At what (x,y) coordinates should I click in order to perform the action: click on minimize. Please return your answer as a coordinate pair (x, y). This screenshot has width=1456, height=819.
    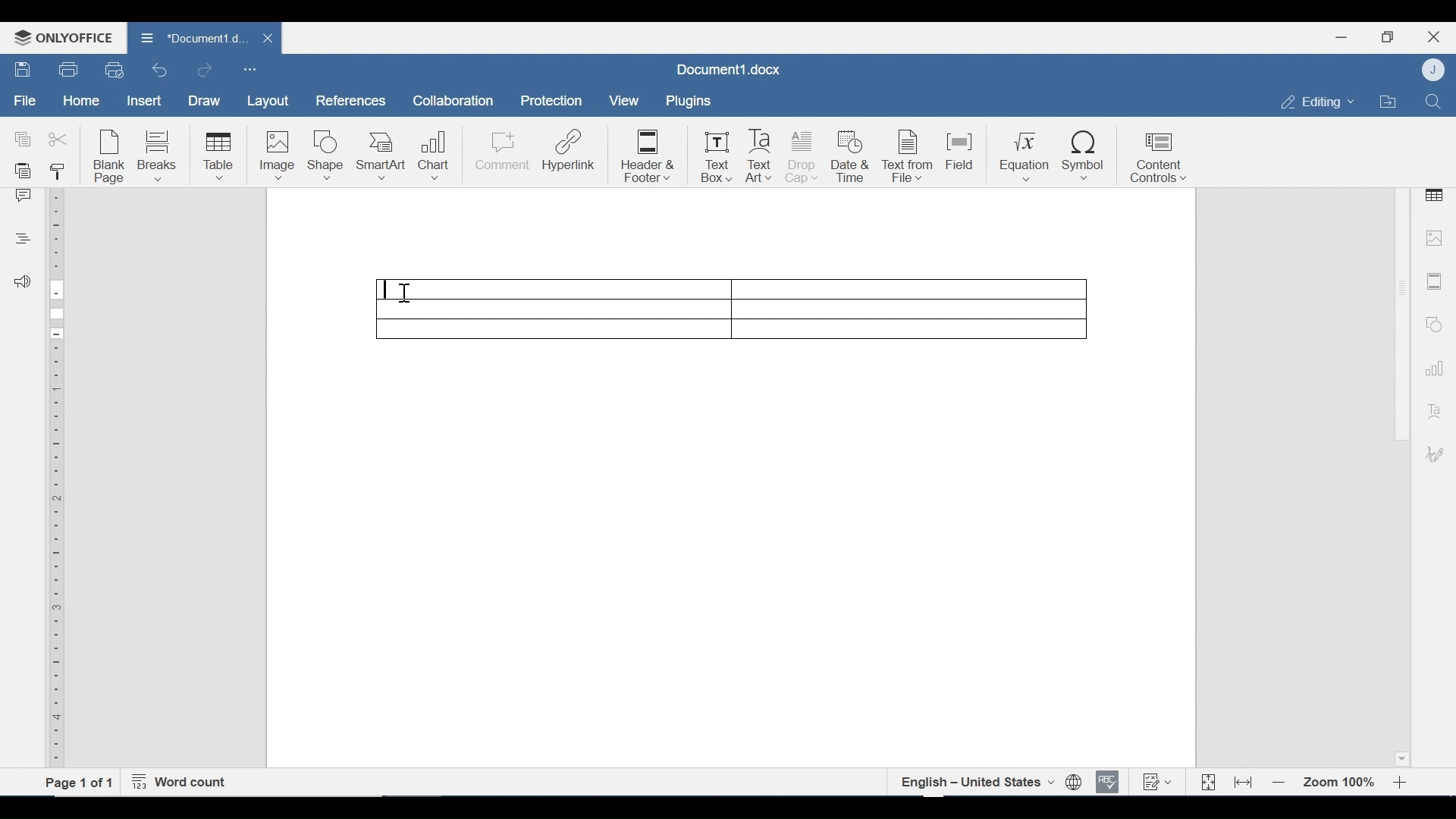
    Looking at the image, I should click on (1341, 36).